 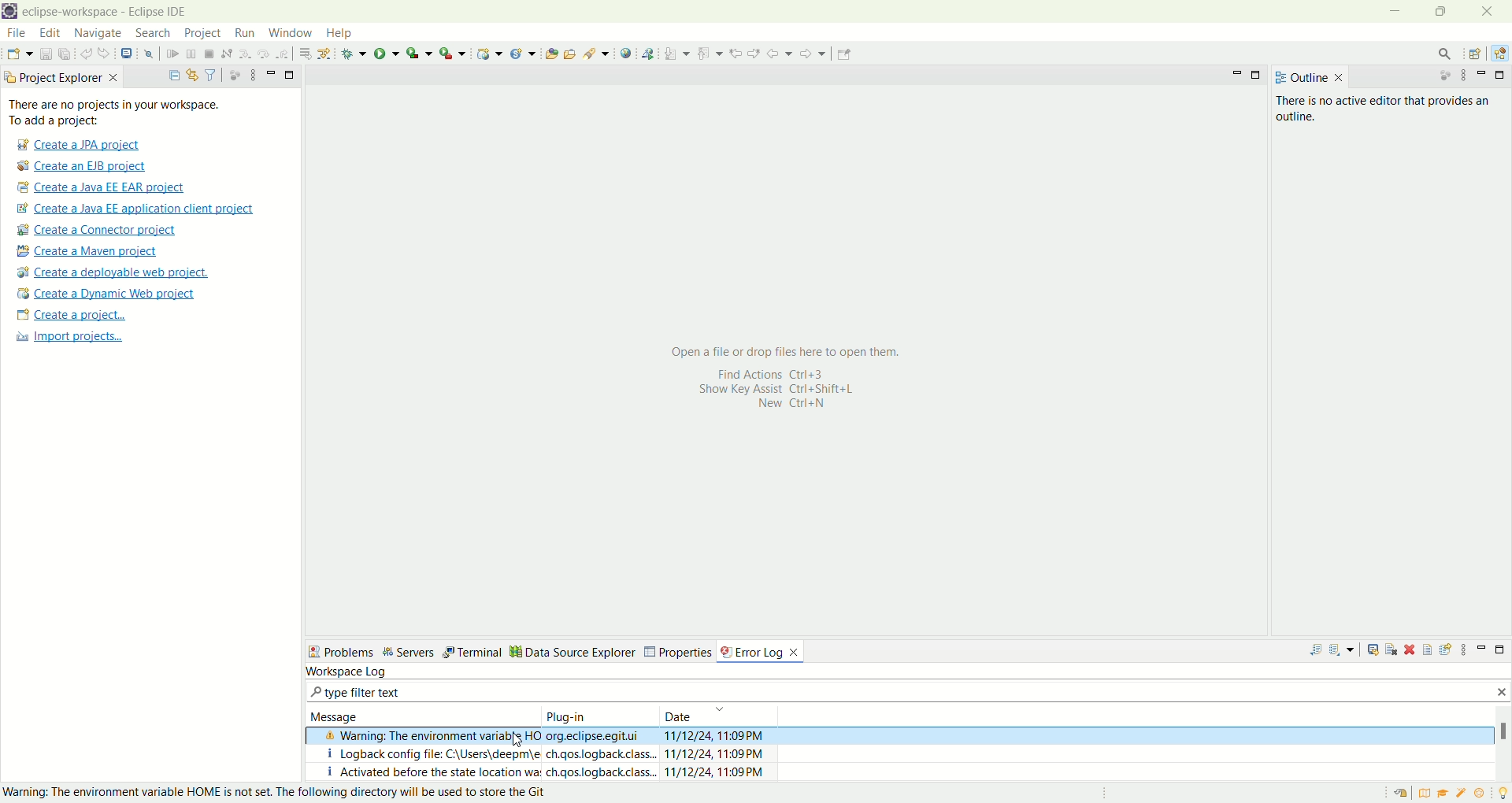 What do you see at coordinates (209, 53) in the screenshot?
I see `terminate` at bounding box center [209, 53].